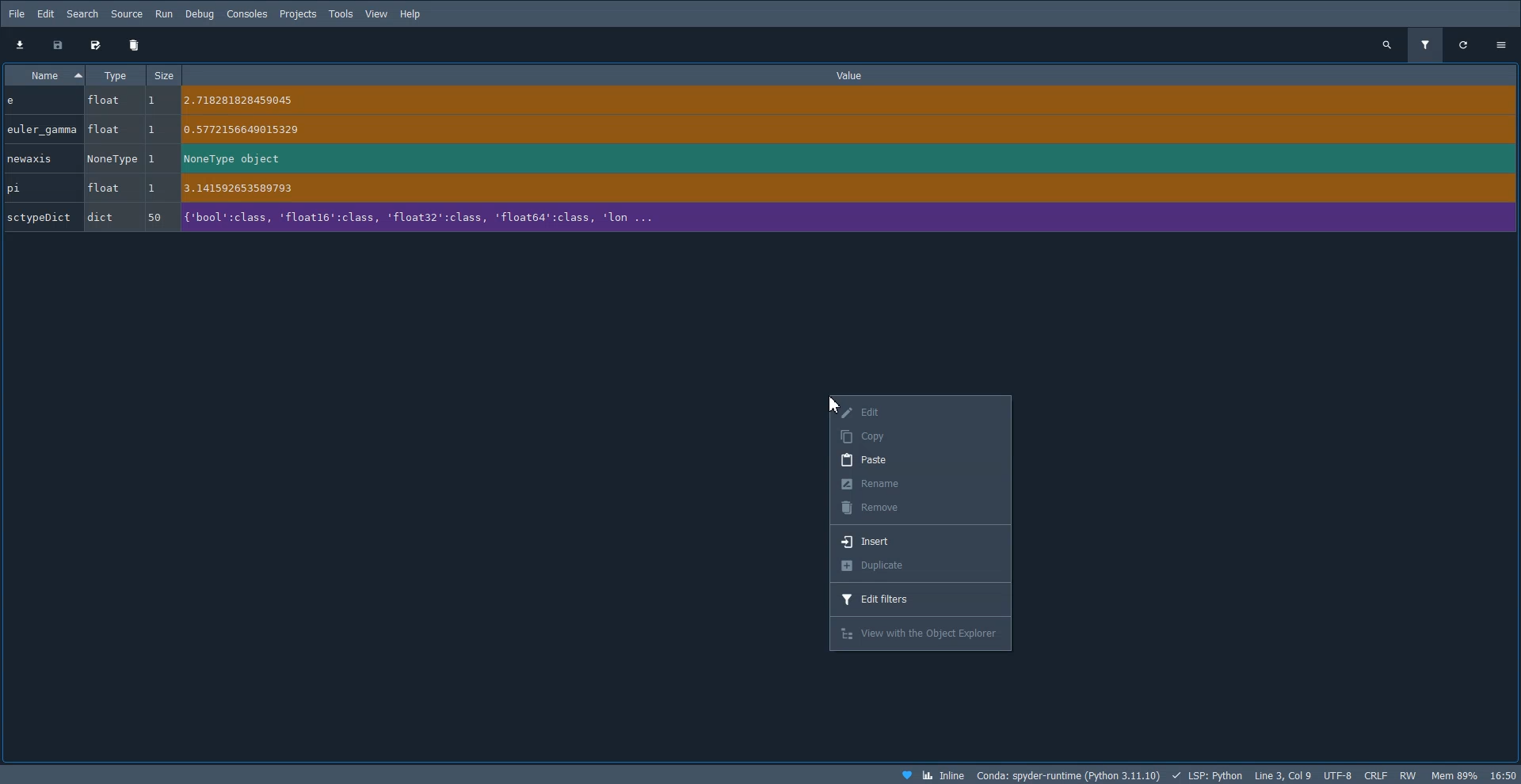  I want to click on newaxis, so click(32, 159).